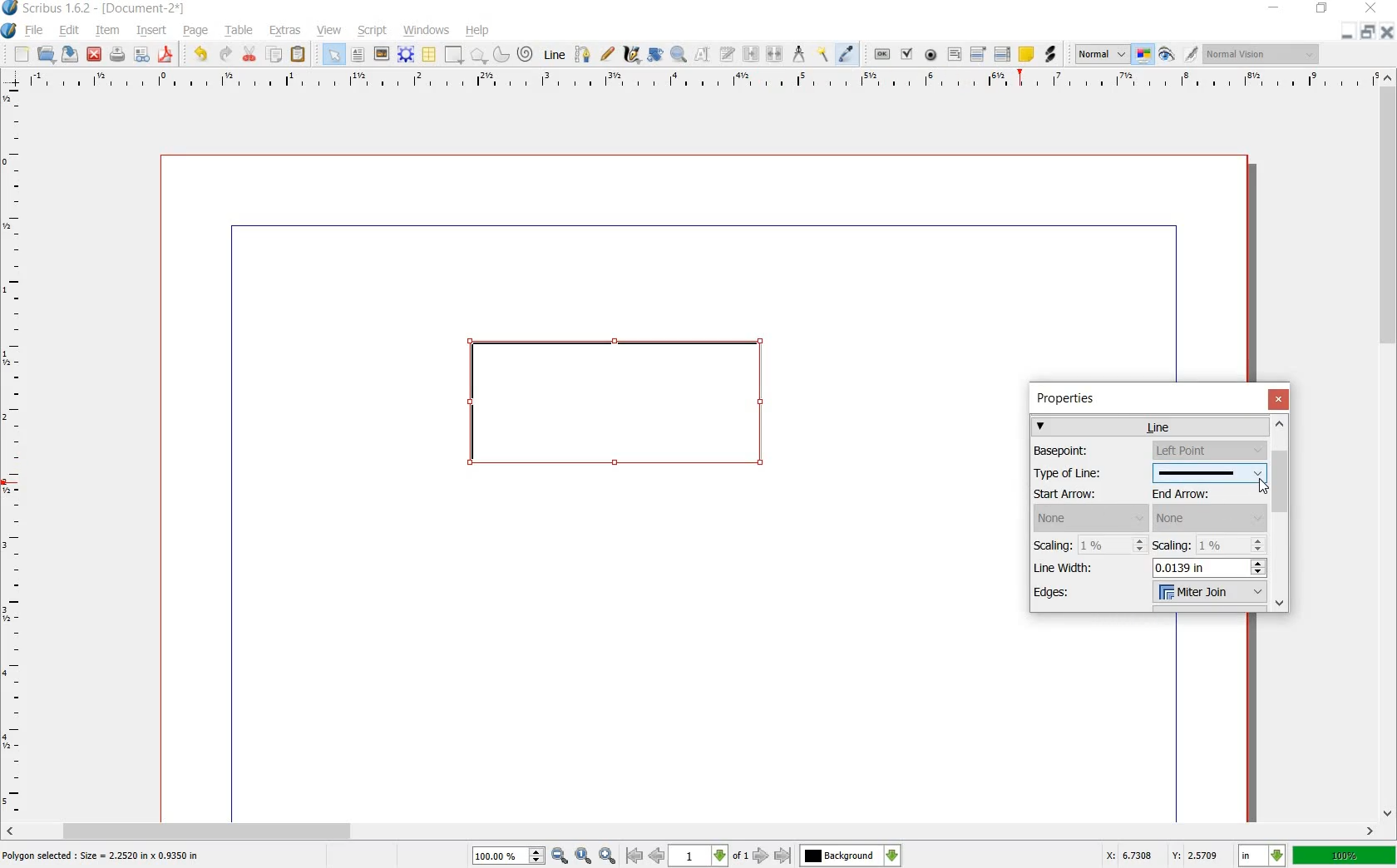 This screenshot has height=868, width=1397. What do you see at coordinates (1070, 567) in the screenshot?
I see `Line Width:` at bounding box center [1070, 567].